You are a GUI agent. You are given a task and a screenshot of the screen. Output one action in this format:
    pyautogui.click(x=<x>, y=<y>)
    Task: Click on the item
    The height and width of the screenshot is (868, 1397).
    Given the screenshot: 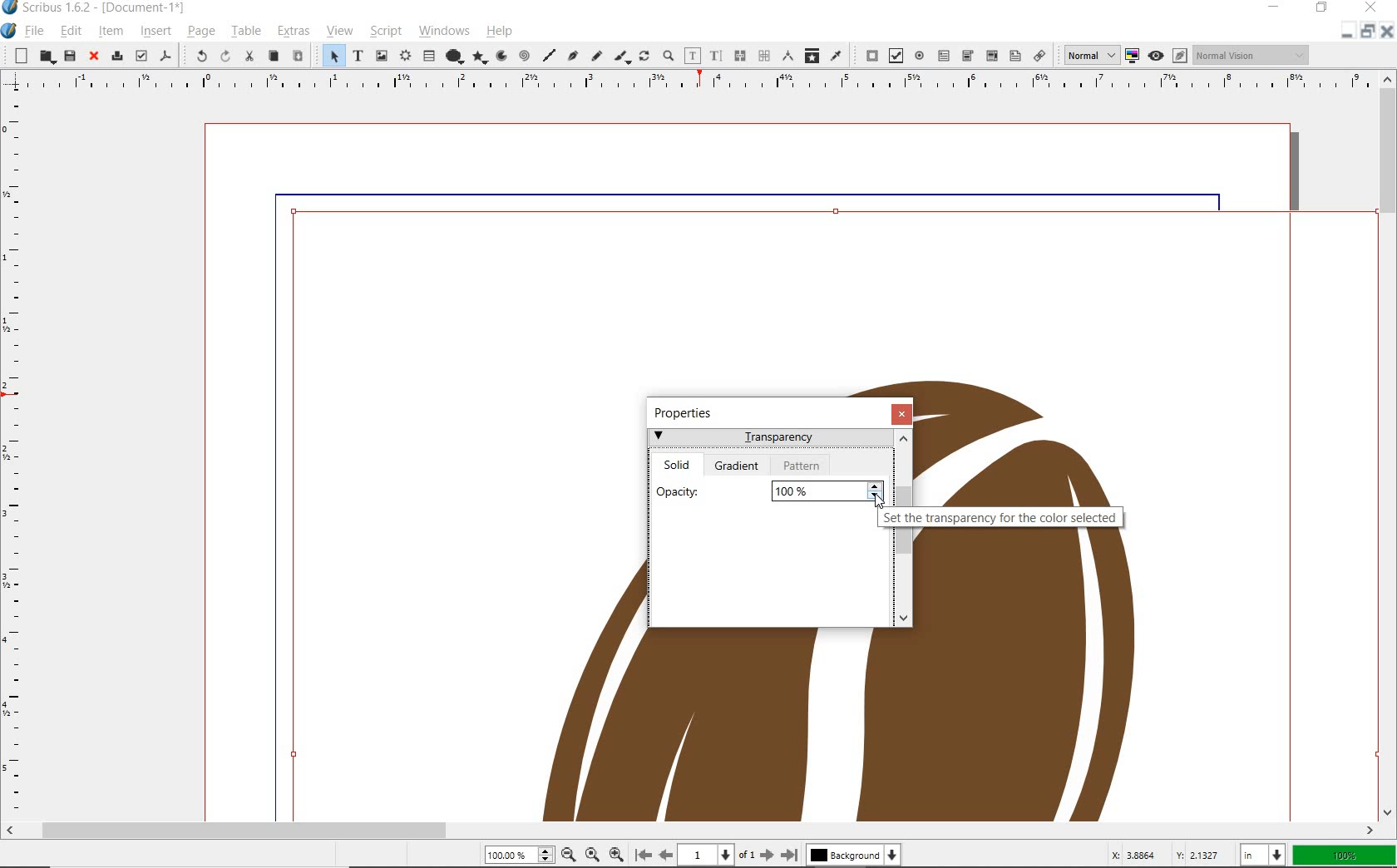 What is the action you would take?
    pyautogui.click(x=111, y=32)
    